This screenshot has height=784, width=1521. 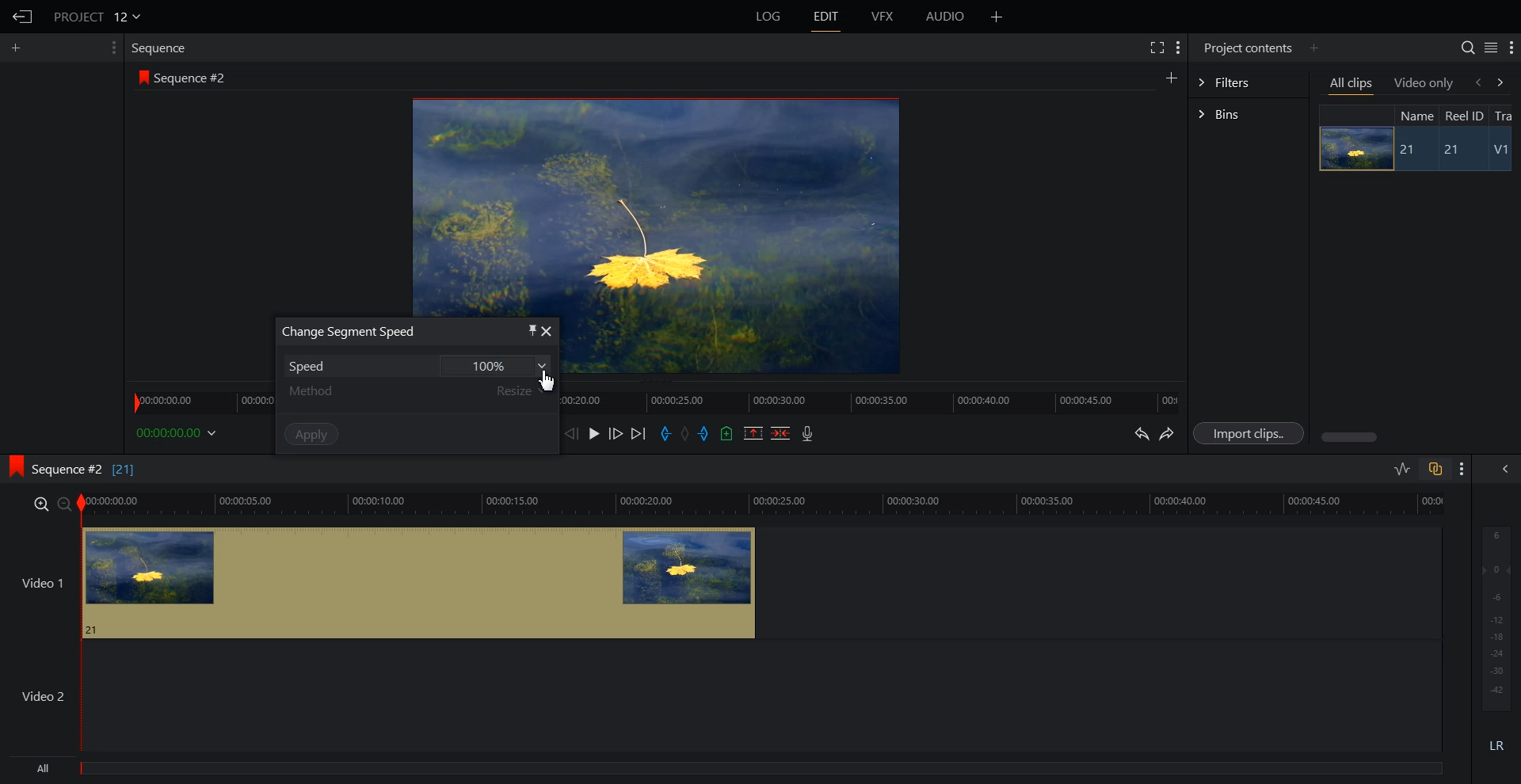 What do you see at coordinates (1248, 81) in the screenshot?
I see `Filters` at bounding box center [1248, 81].